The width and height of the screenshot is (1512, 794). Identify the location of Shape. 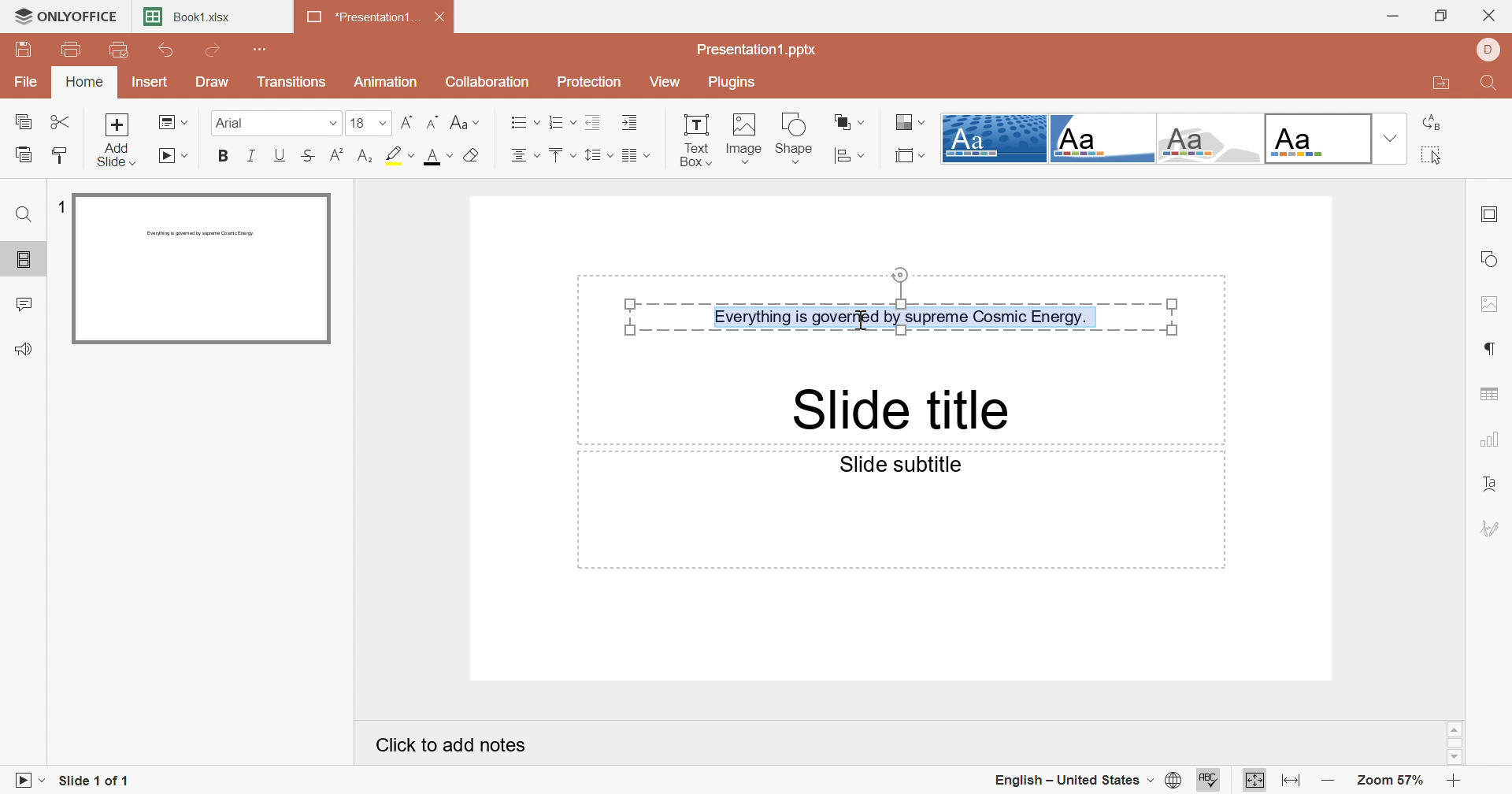
(794, 138).